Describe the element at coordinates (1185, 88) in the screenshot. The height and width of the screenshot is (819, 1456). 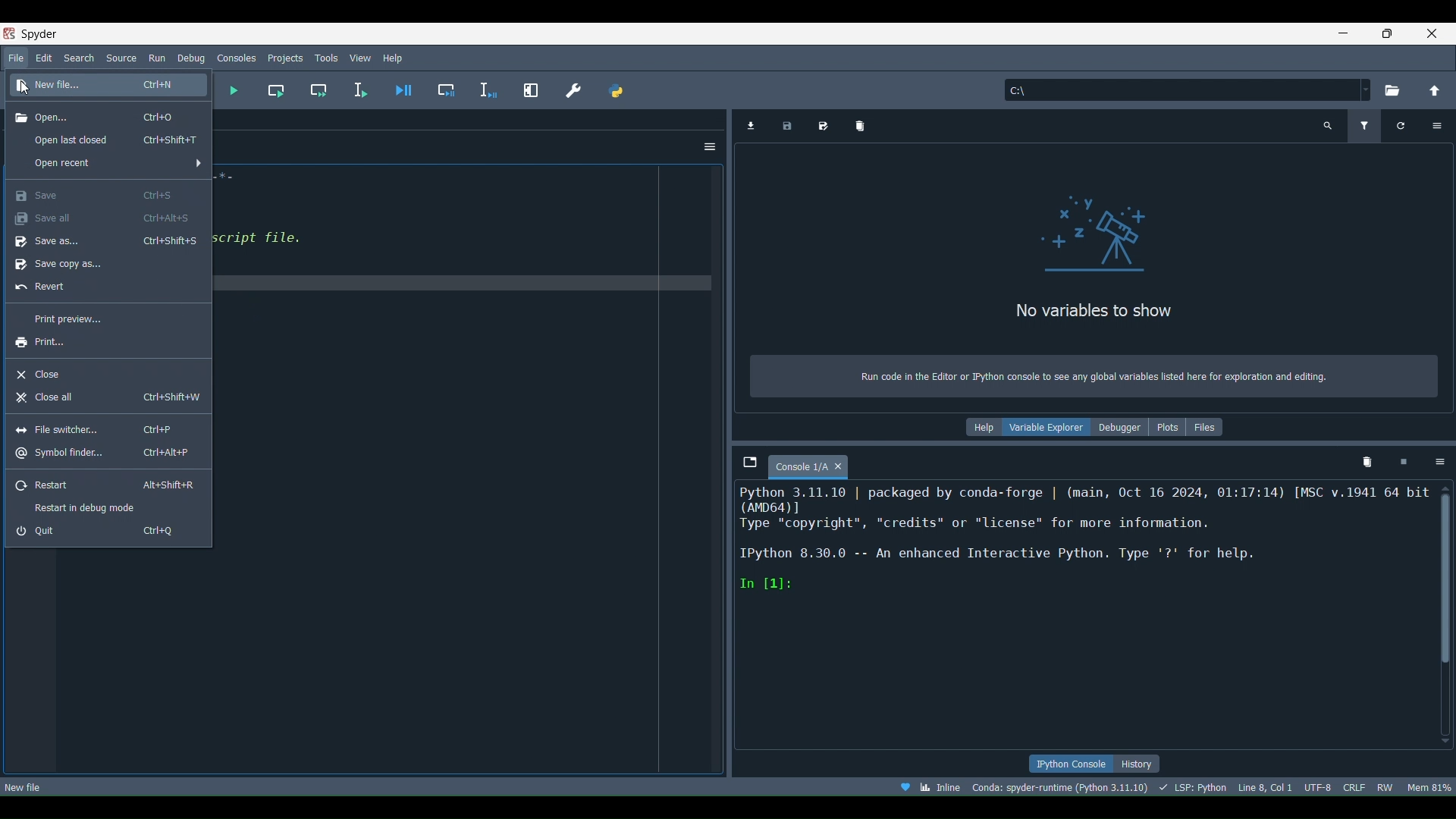
I see `File location` at that location.